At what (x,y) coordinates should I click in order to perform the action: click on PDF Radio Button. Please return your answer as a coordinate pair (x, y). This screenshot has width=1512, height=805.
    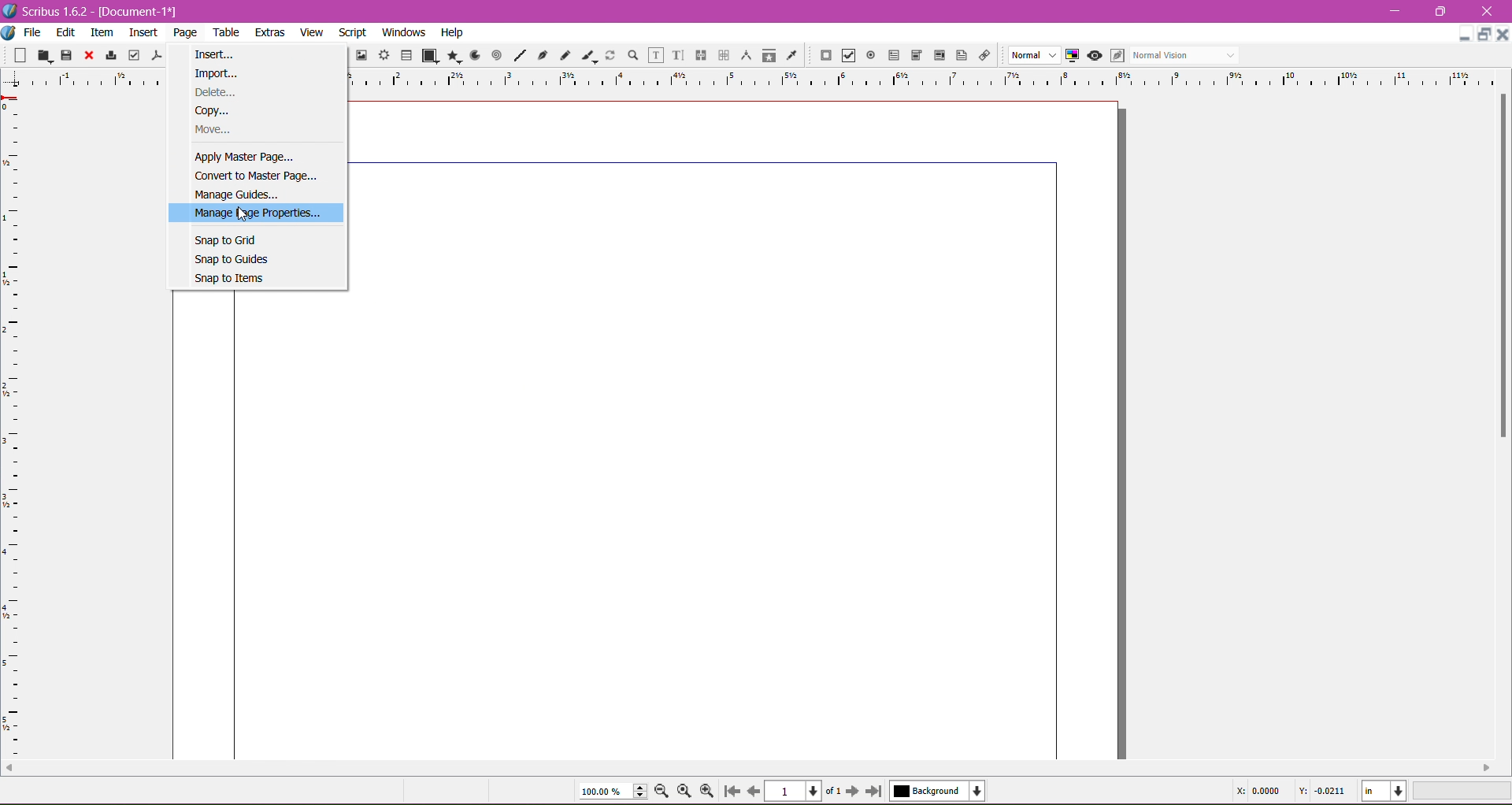
    Looking at the image, I should click on (871, 56).